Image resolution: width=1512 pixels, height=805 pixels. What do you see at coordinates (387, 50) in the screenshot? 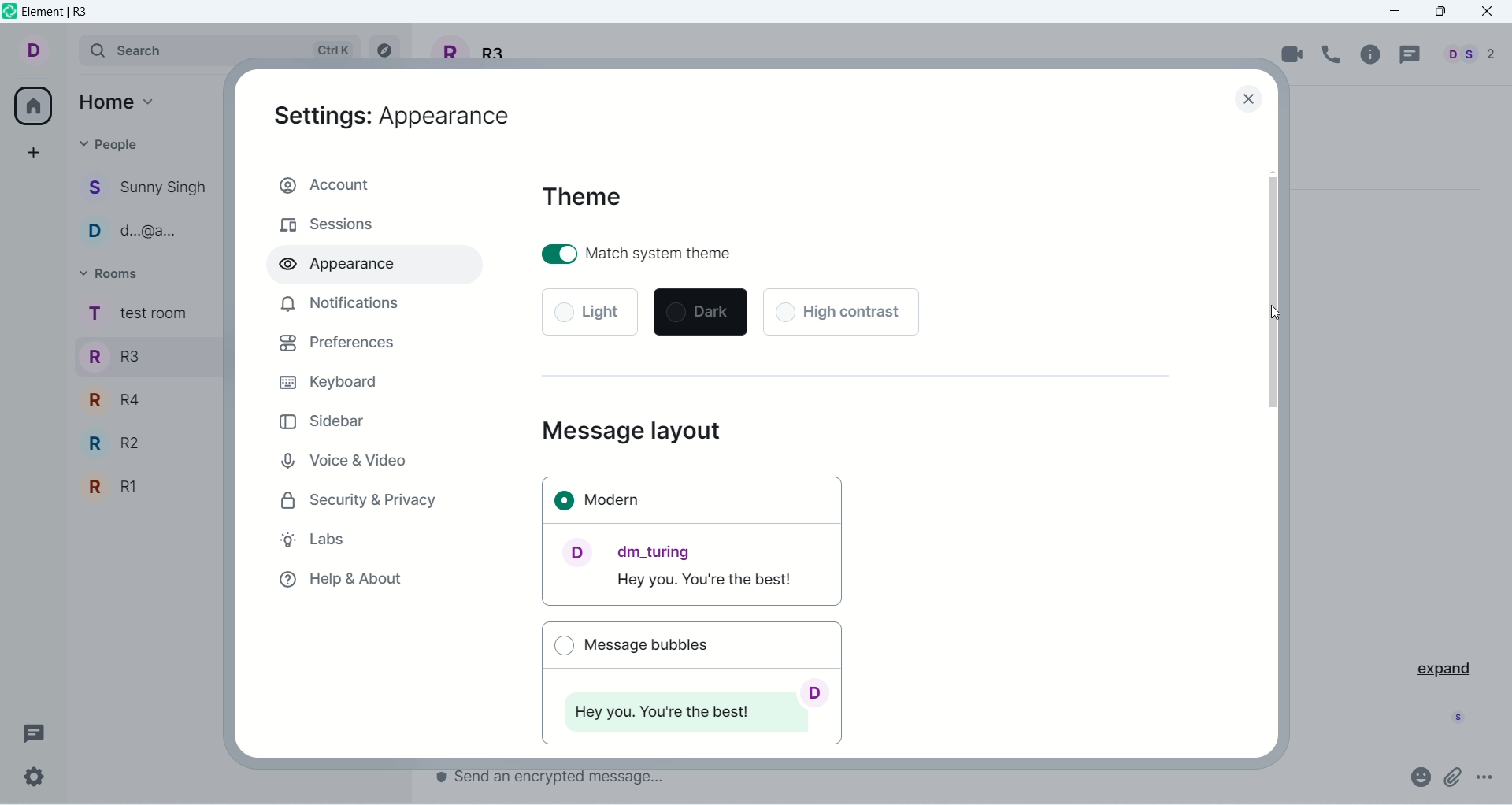
I see `explore rooms` at bounding box center [387, 50].